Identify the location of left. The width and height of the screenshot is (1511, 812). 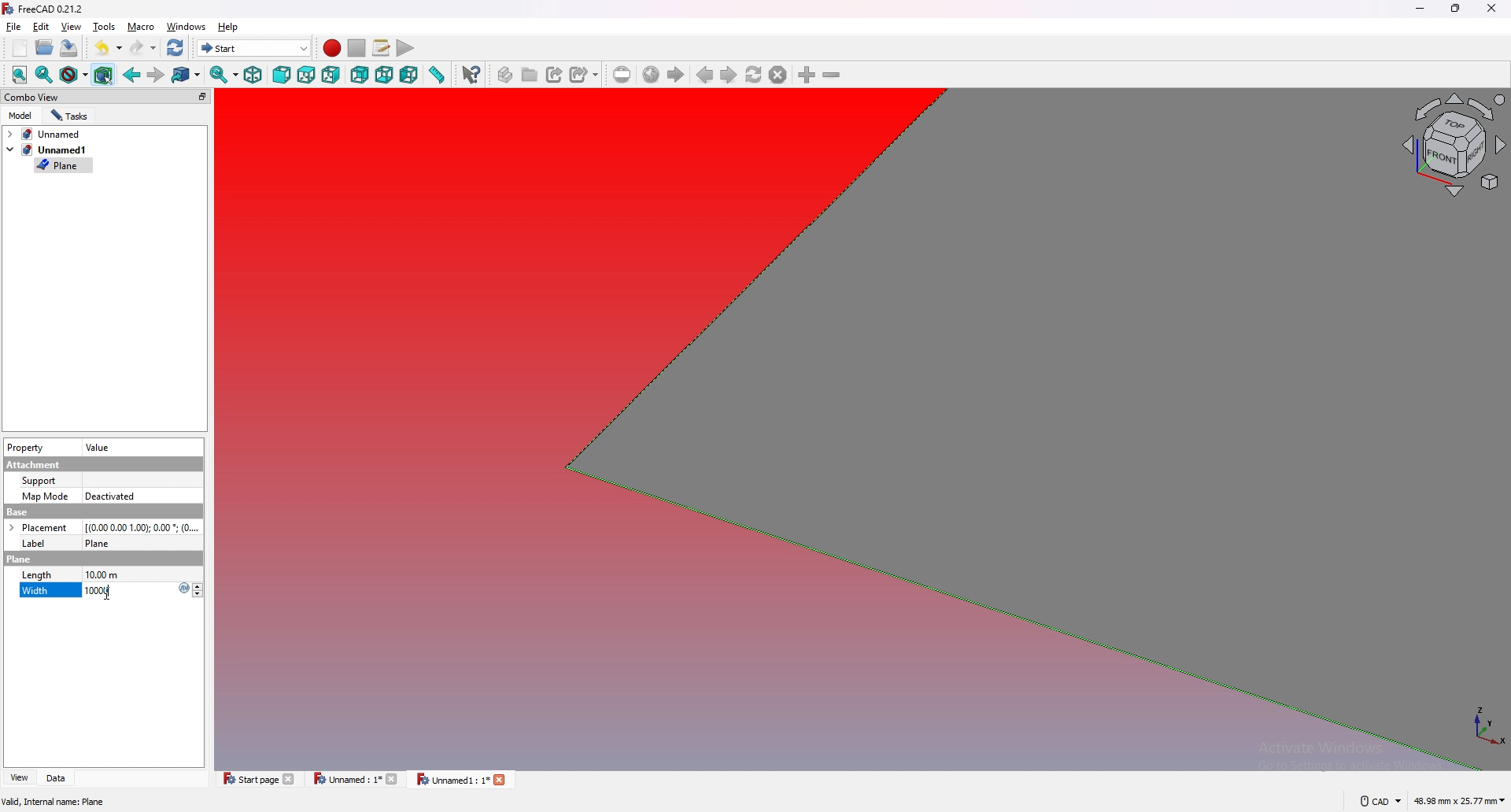
(409, 76).